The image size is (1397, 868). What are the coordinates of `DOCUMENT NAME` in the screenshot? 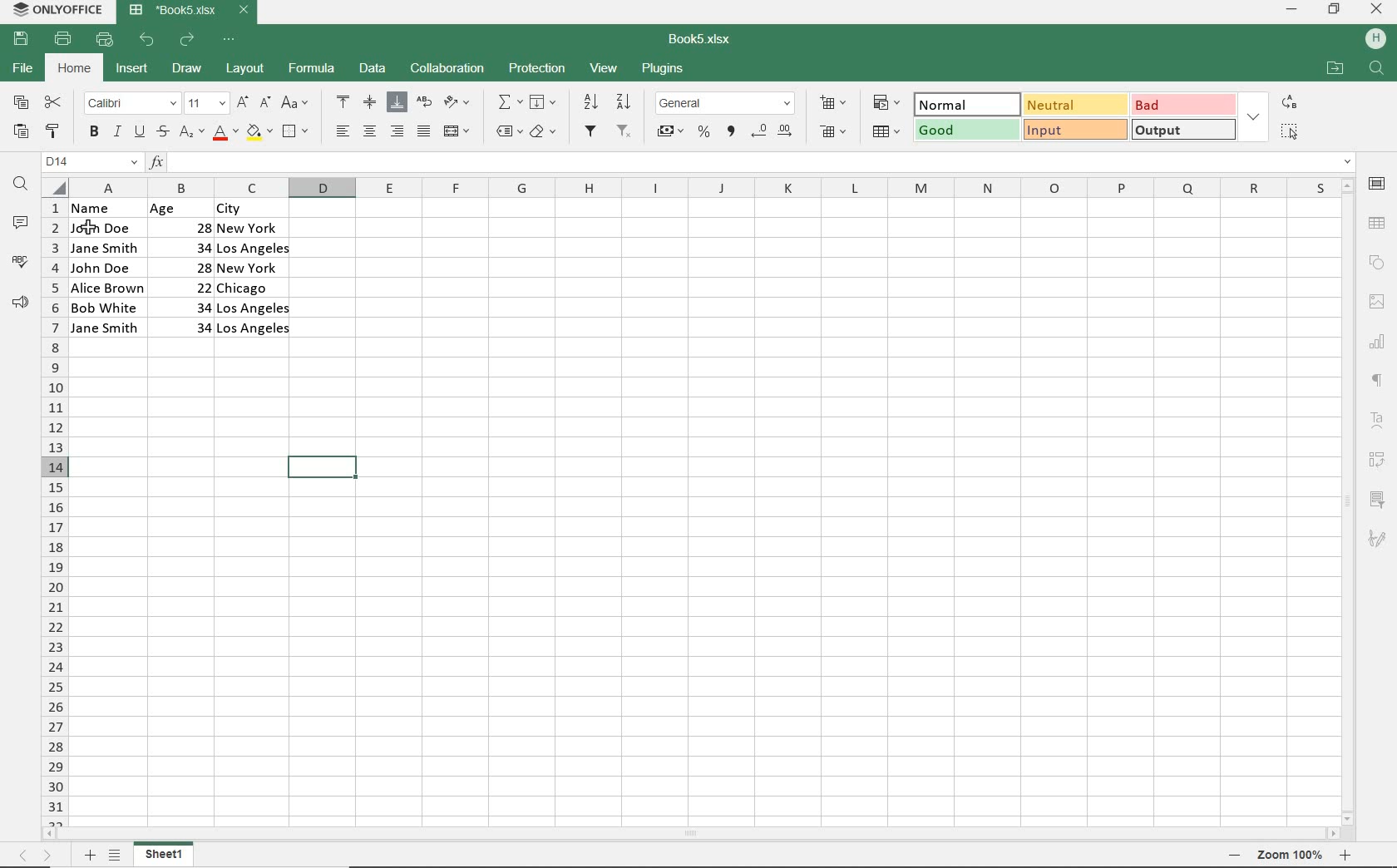 It's located at (190, 11).